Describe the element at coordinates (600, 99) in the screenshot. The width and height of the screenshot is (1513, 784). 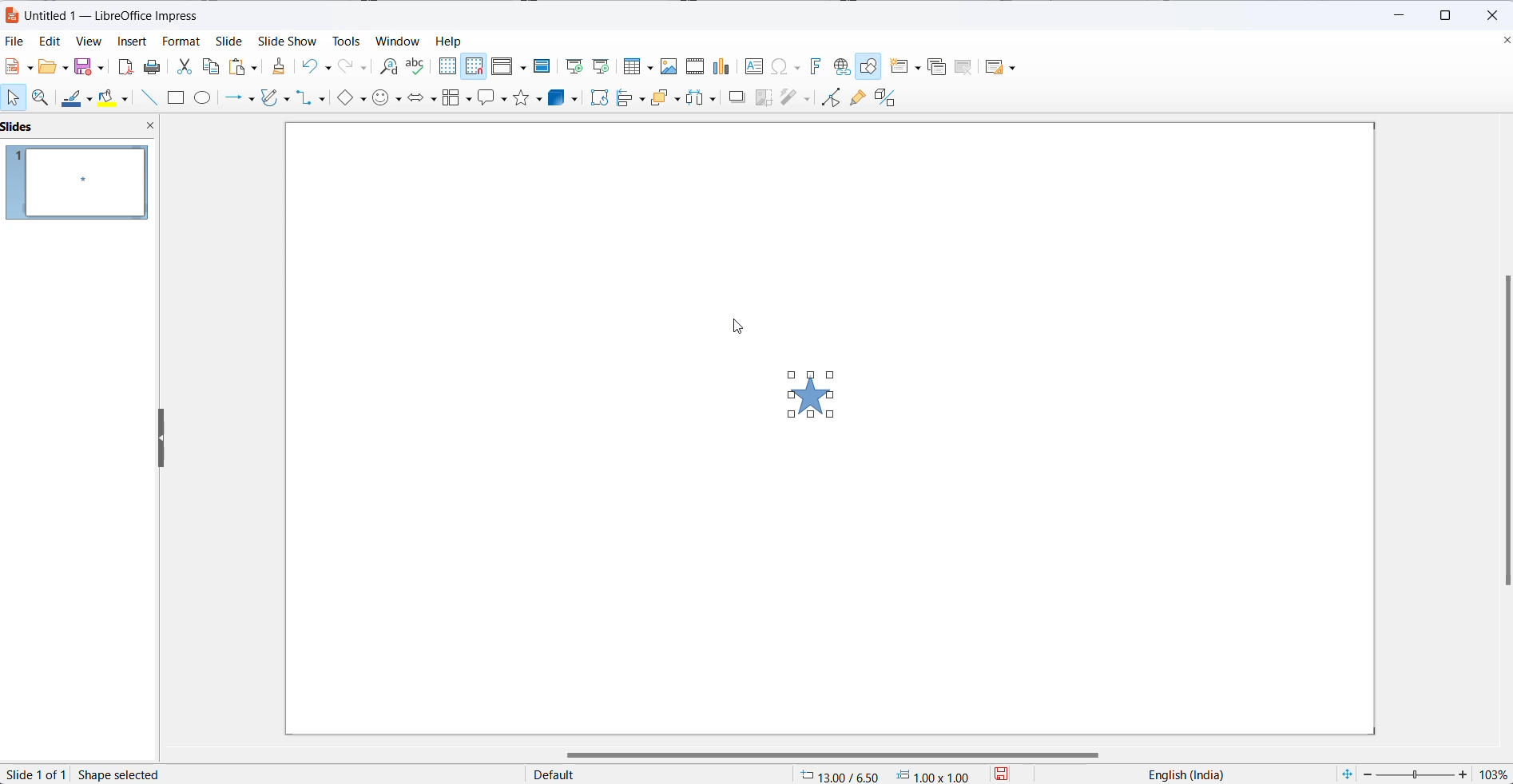
I see `rotate` at that location.